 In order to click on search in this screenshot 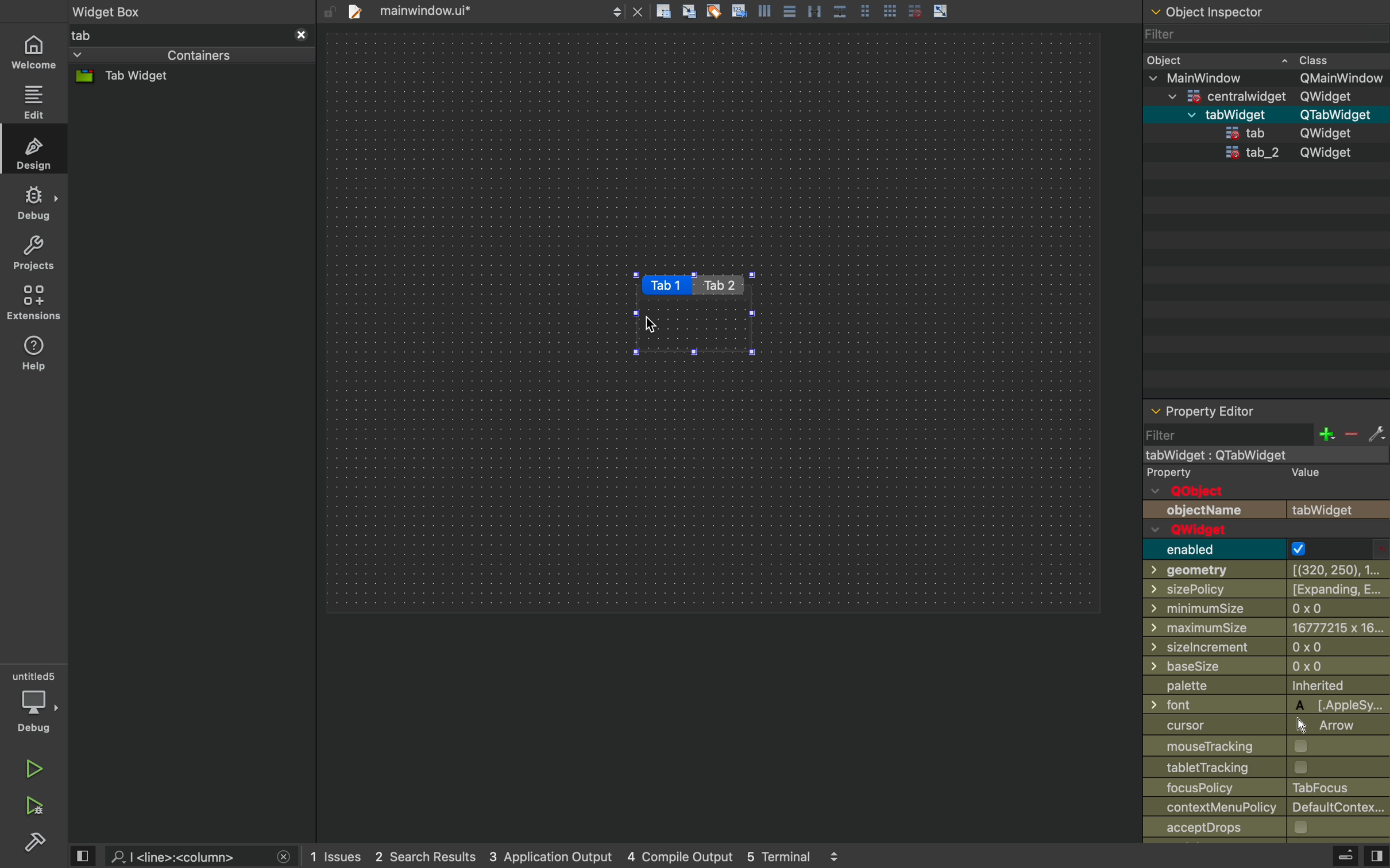, I will do `click(188, 855)`.